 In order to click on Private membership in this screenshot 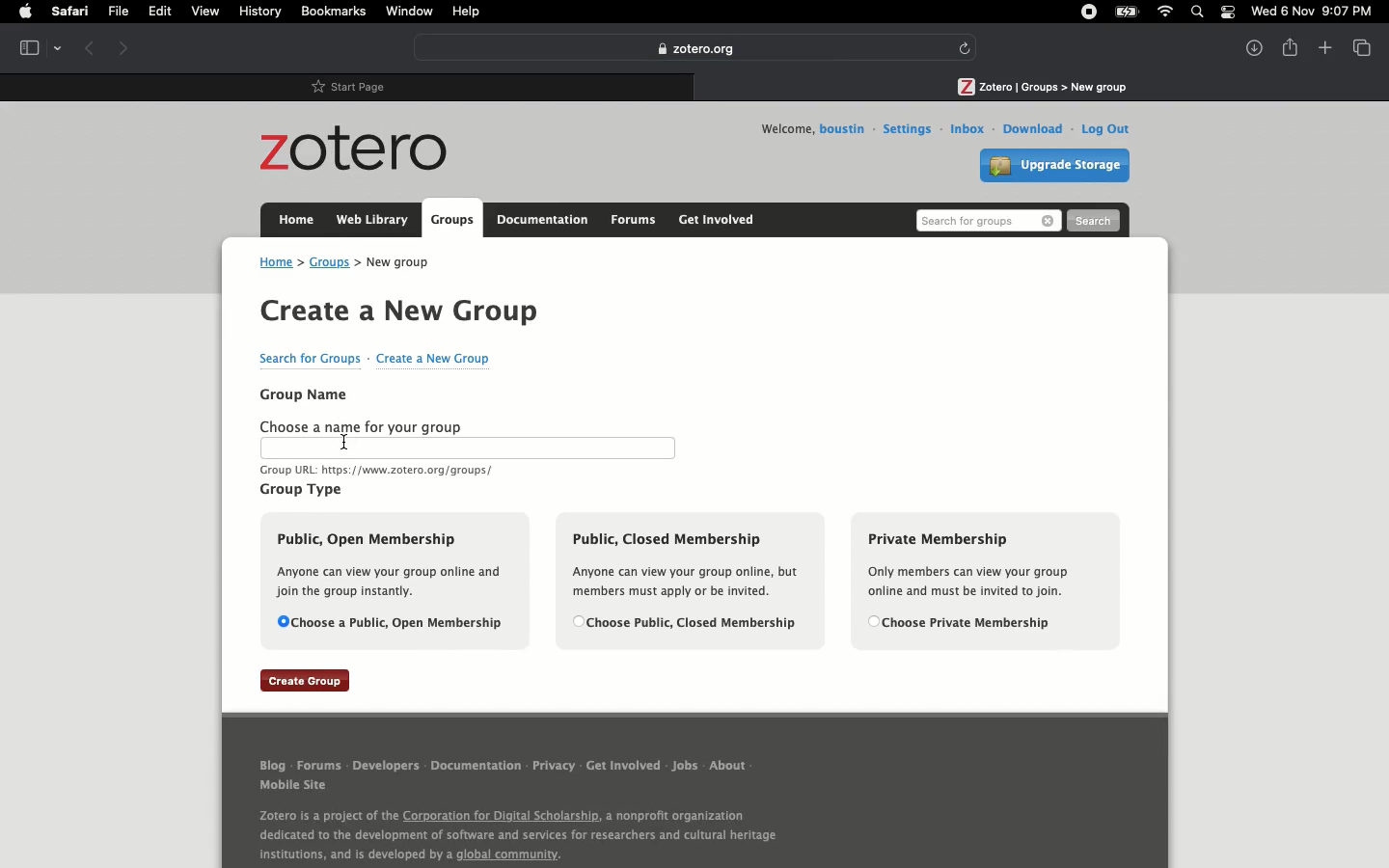, I will do `click(976, 580)`.